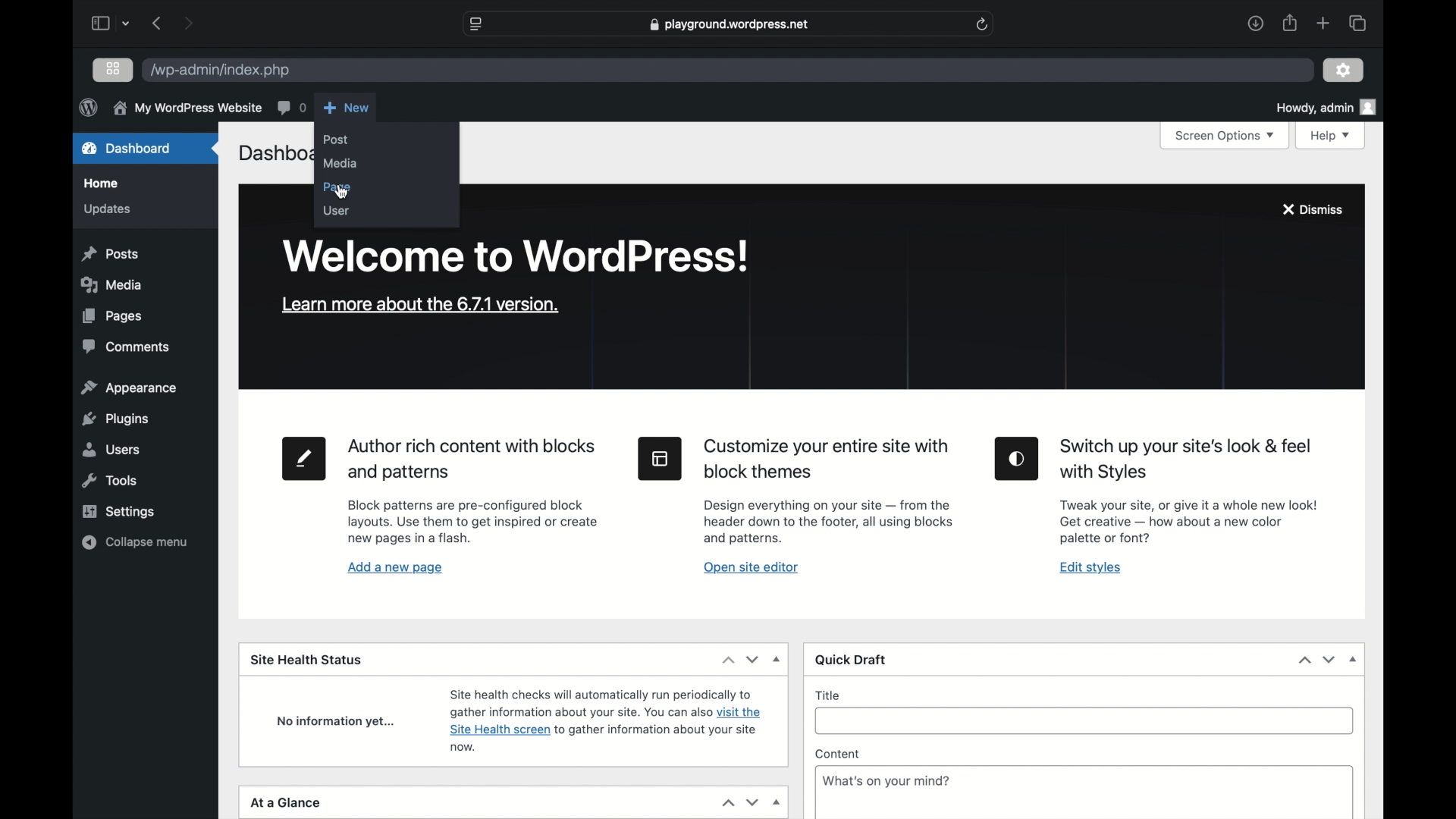 This screenshot has width=1456, height=819. Describe the element at coordinates (109, 253) in the screenshot. I see `posts` at that location.